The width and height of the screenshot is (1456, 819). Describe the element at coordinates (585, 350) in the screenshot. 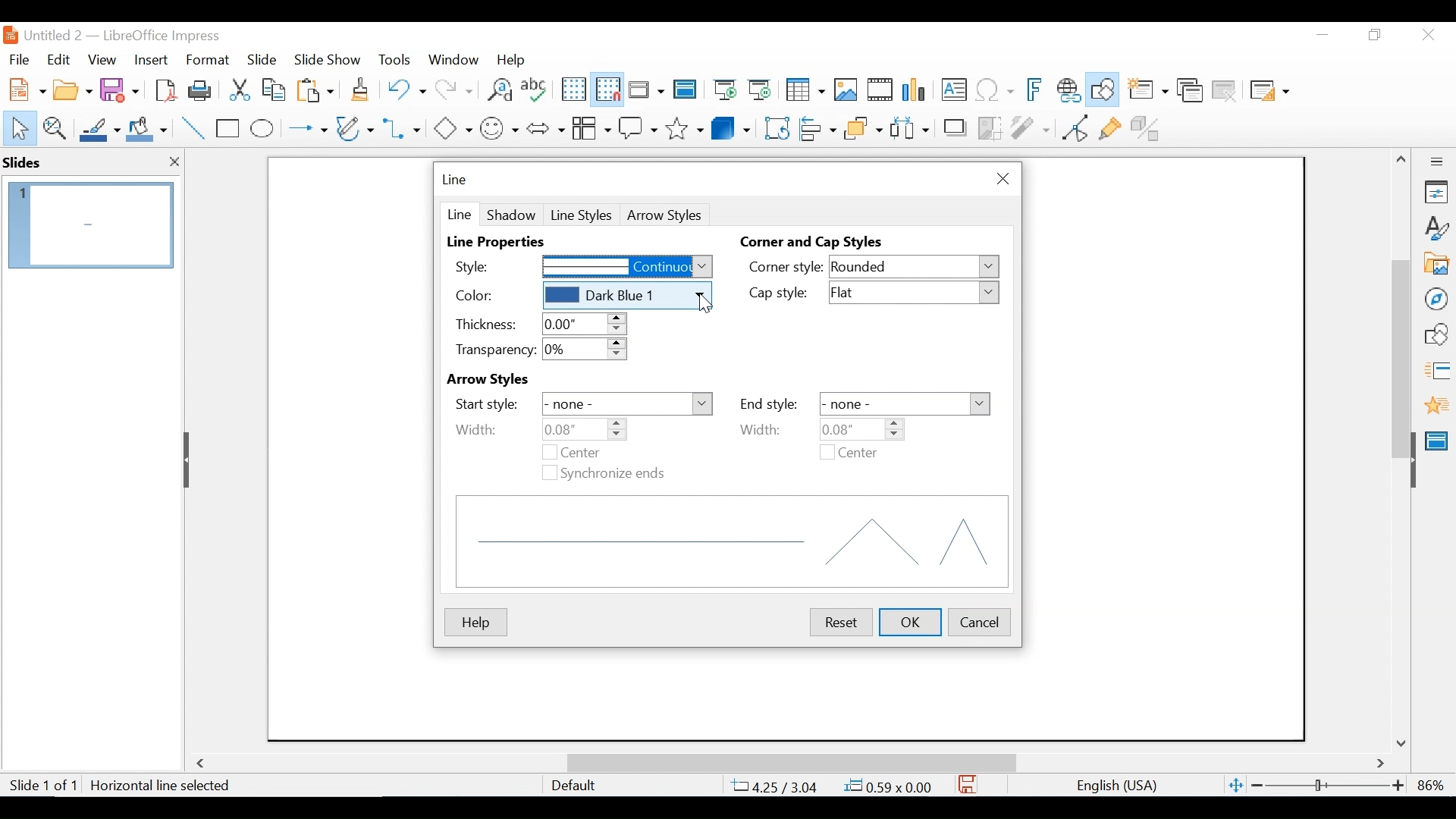

I see `0%` at that location.